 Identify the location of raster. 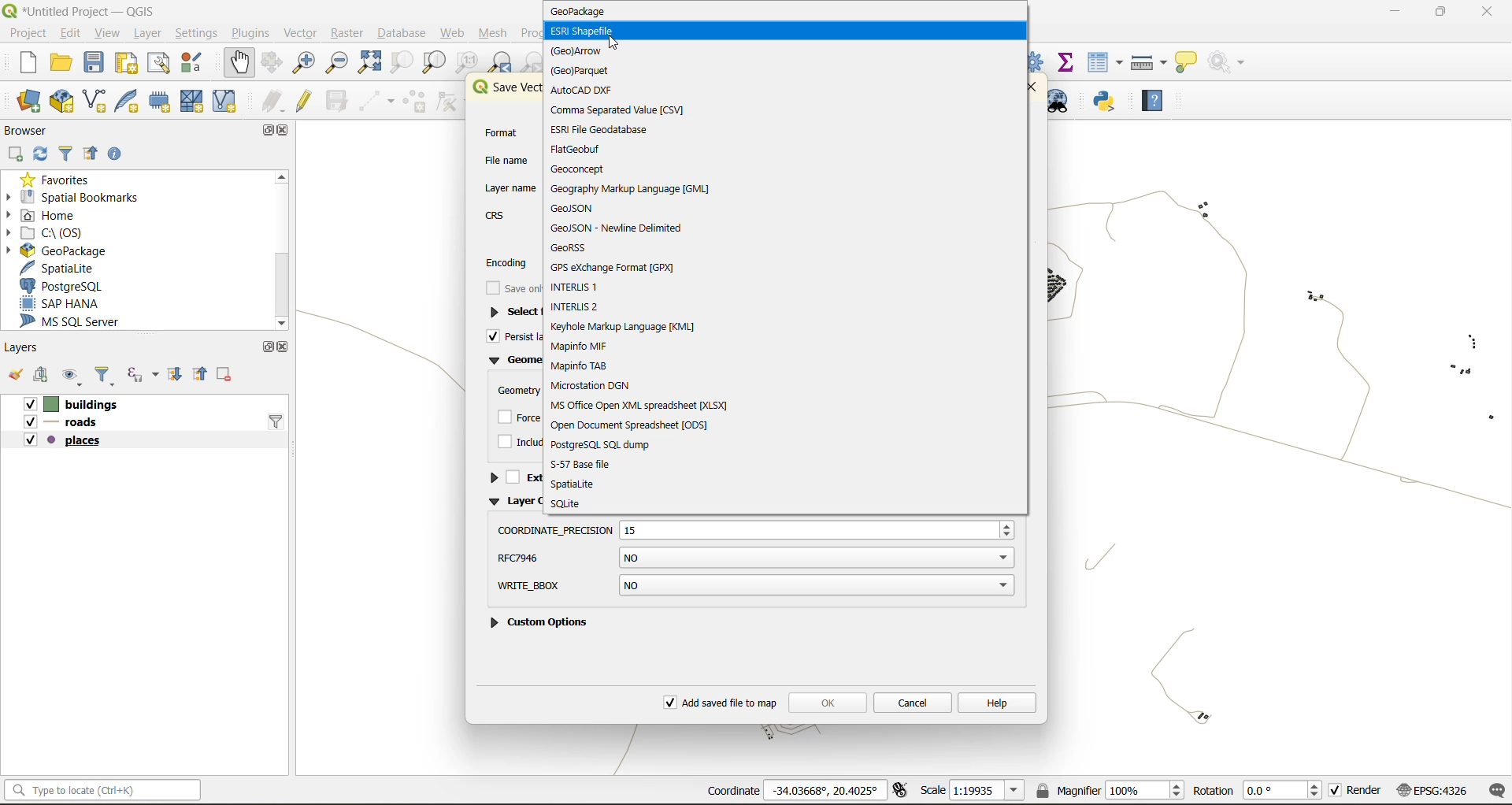
(349, 35).